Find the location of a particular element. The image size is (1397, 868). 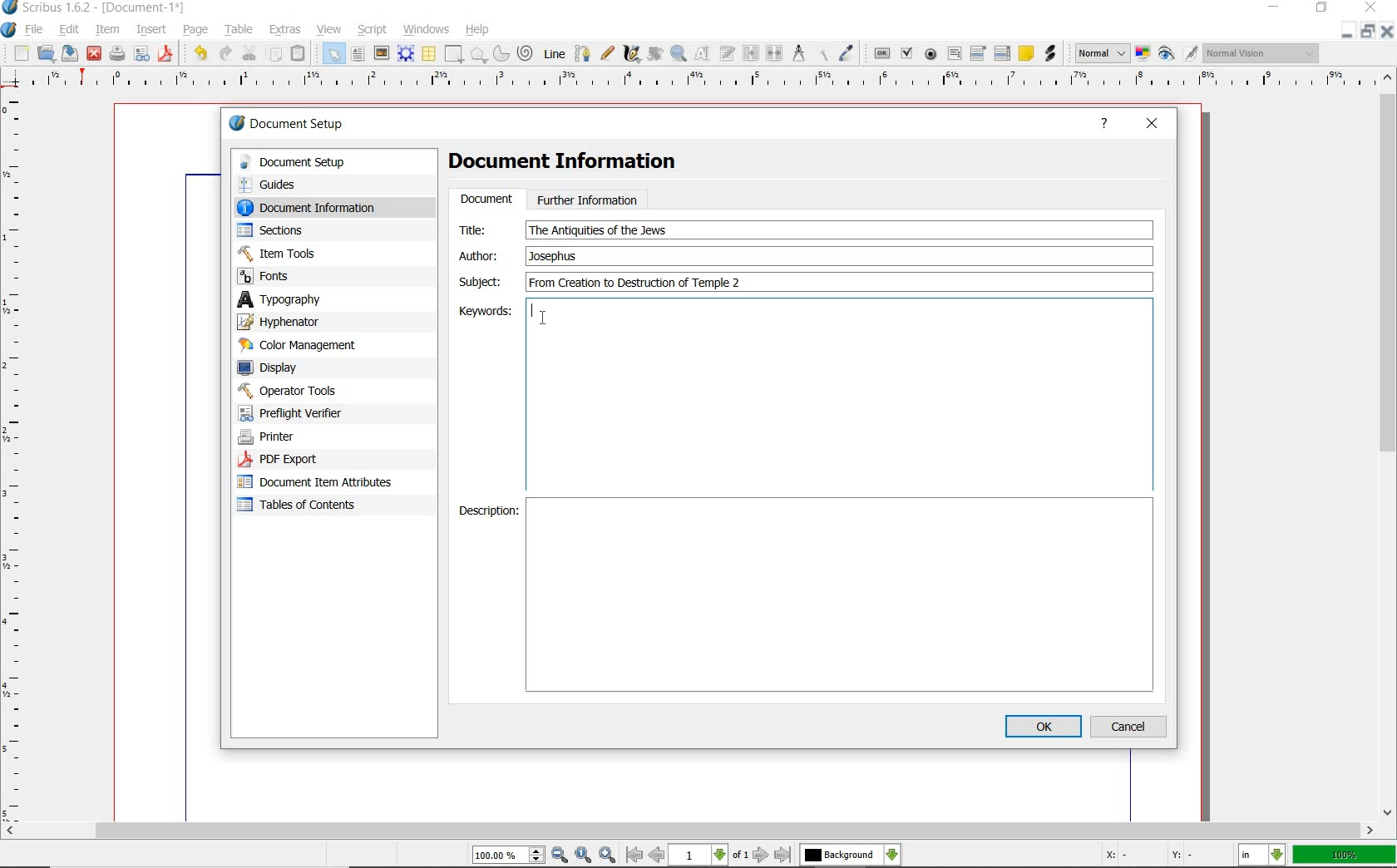

rotate item is located at coordinates (655, 55).